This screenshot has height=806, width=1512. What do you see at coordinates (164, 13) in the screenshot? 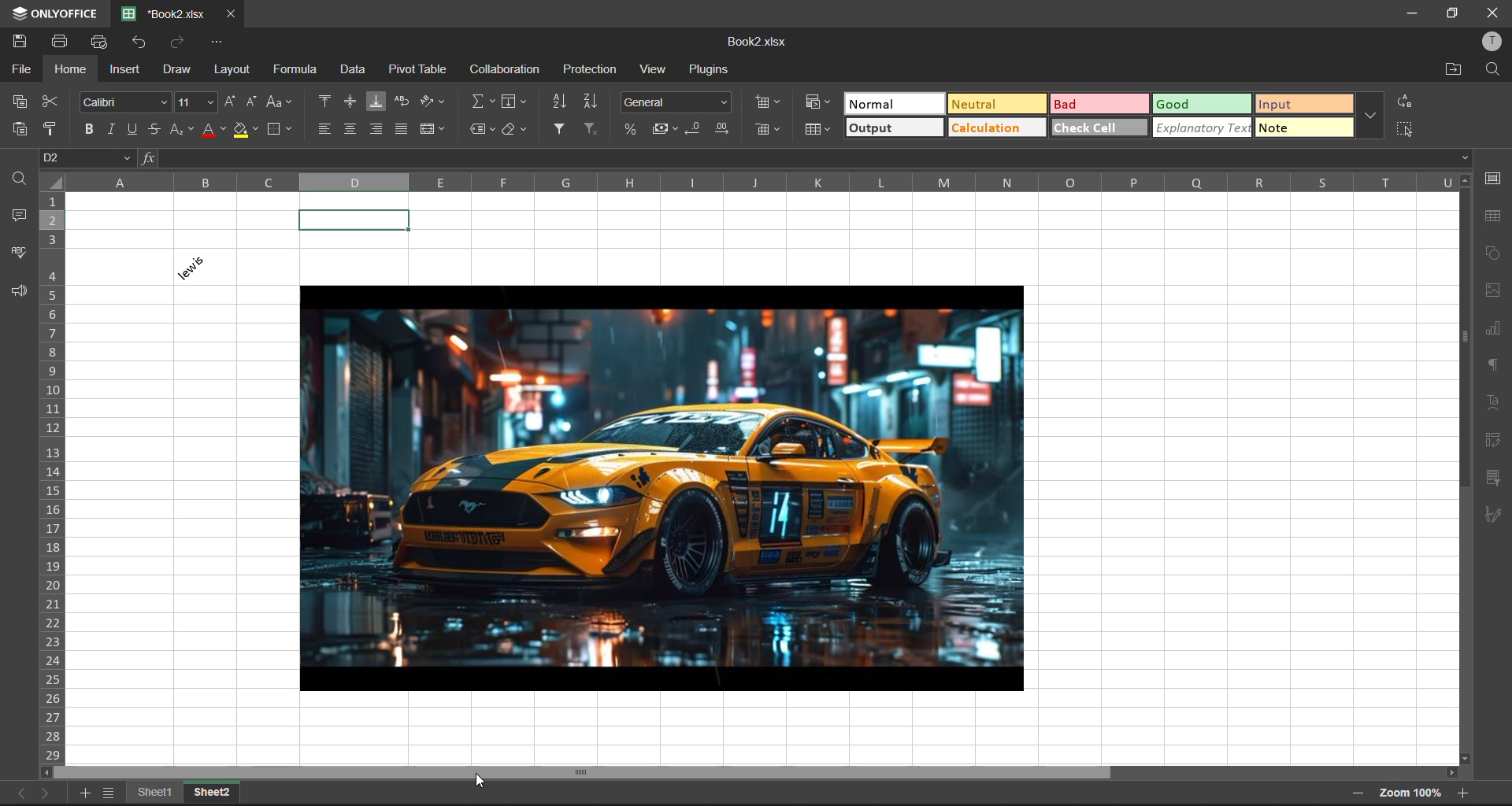
I see `file name` at bounding box center [164, 13].